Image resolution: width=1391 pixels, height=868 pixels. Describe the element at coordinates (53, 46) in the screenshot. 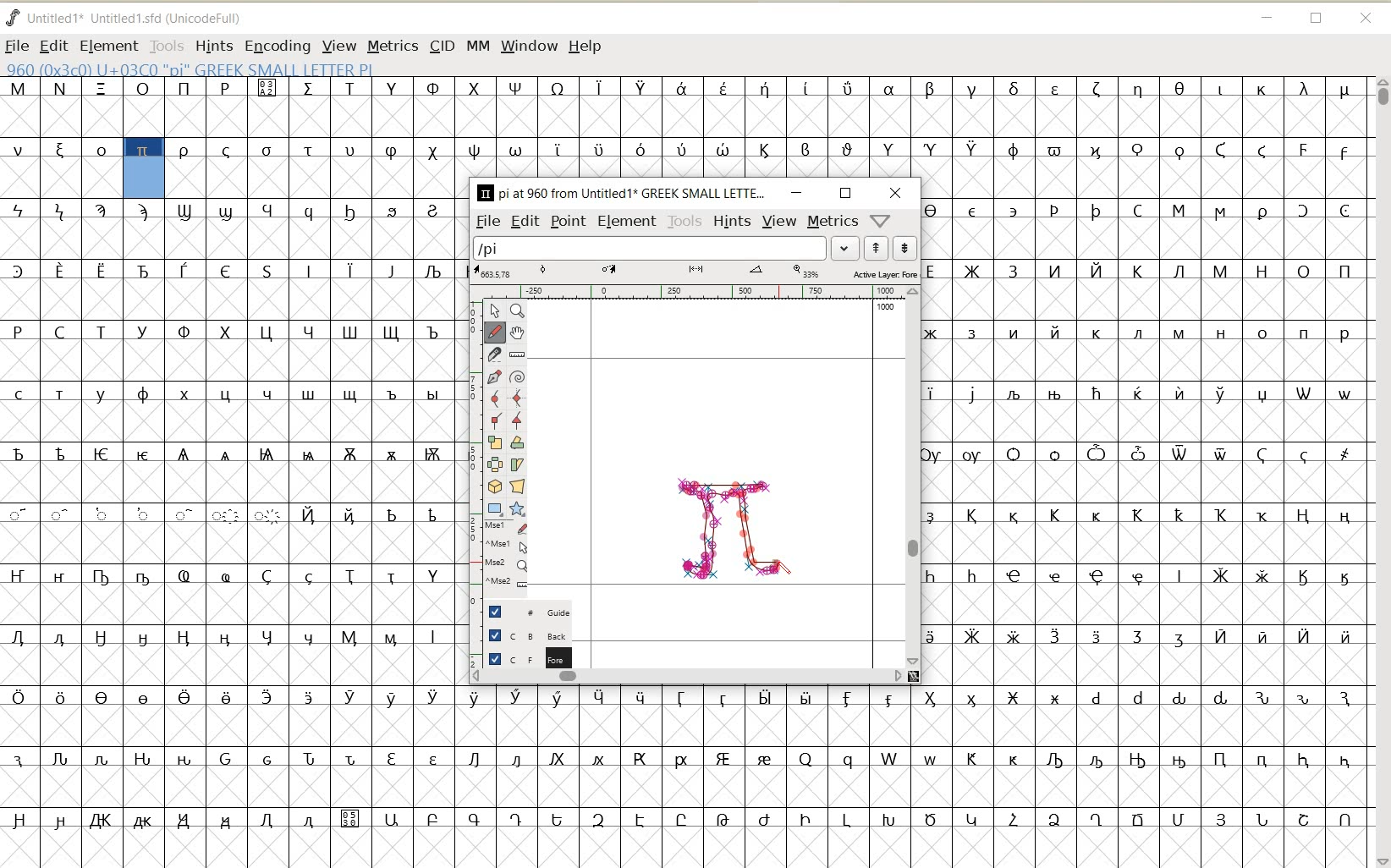

I see `EDIT` at that location.